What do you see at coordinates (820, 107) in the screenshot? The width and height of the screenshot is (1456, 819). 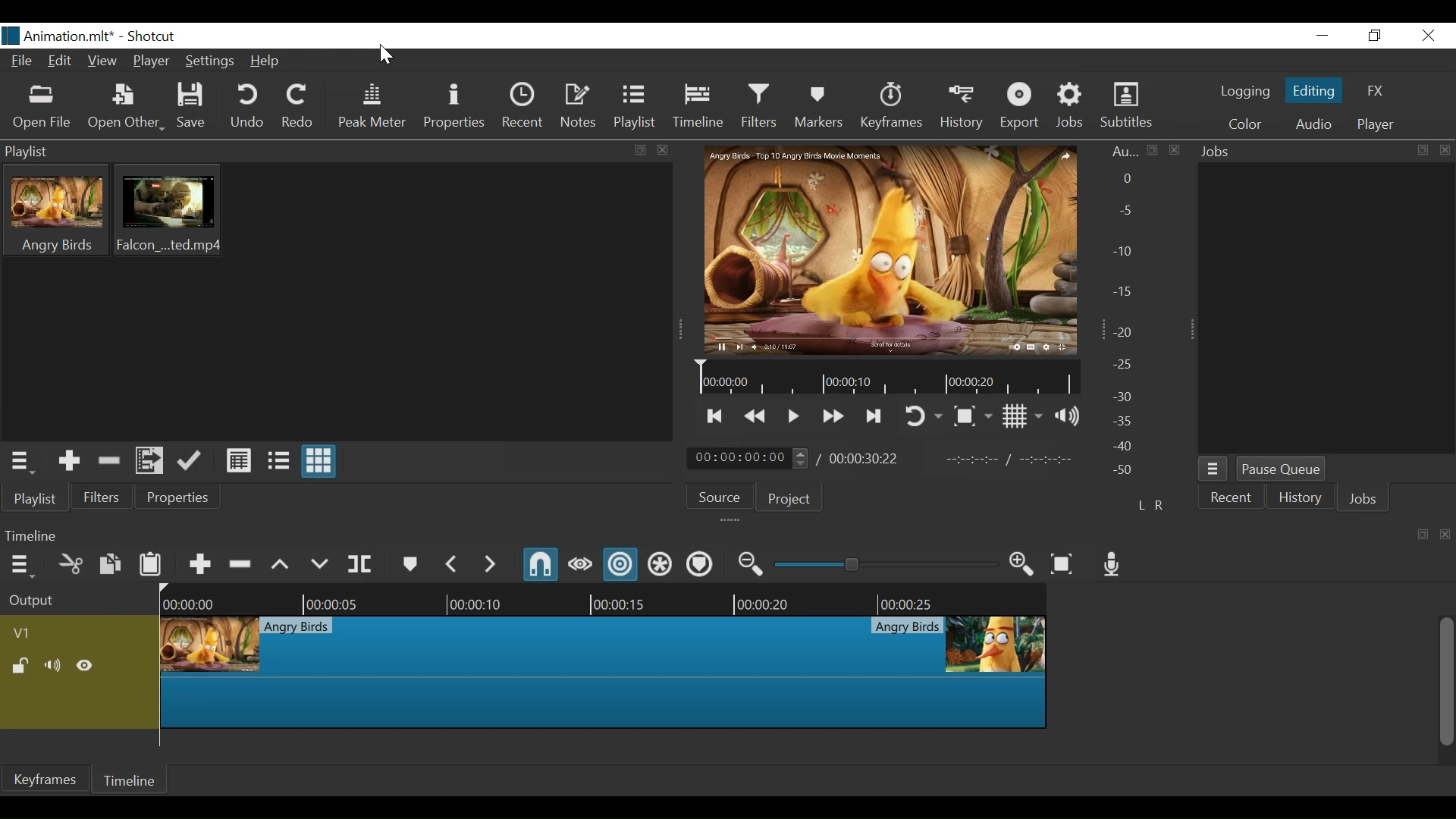 I see `Markers` at bounding box center [820, 107].